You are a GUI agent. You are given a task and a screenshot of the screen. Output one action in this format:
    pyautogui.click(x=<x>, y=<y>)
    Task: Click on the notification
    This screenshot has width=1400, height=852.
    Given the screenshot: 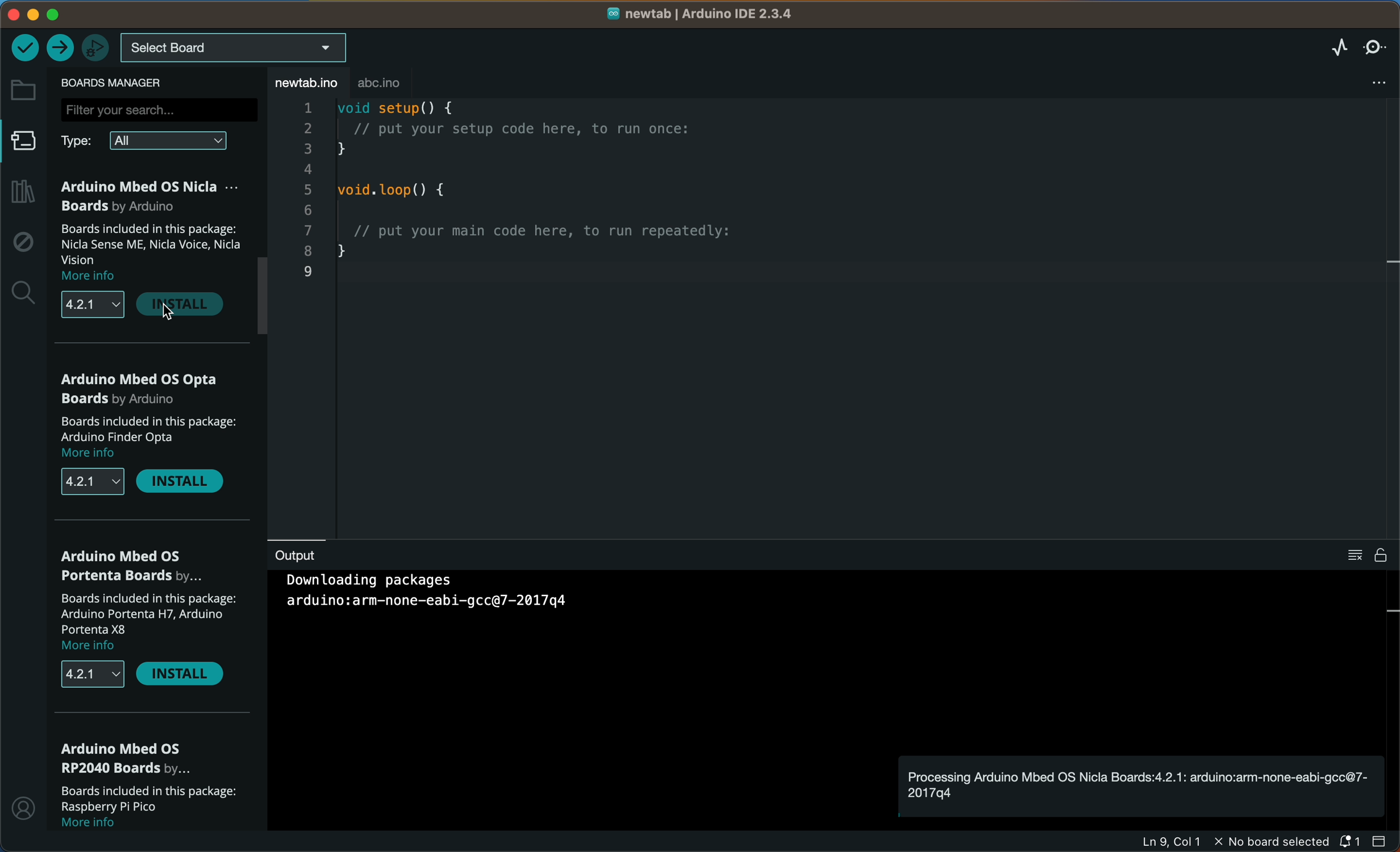 What is the action you would take?
    pyautogui.click(x=1355, y=842)
    